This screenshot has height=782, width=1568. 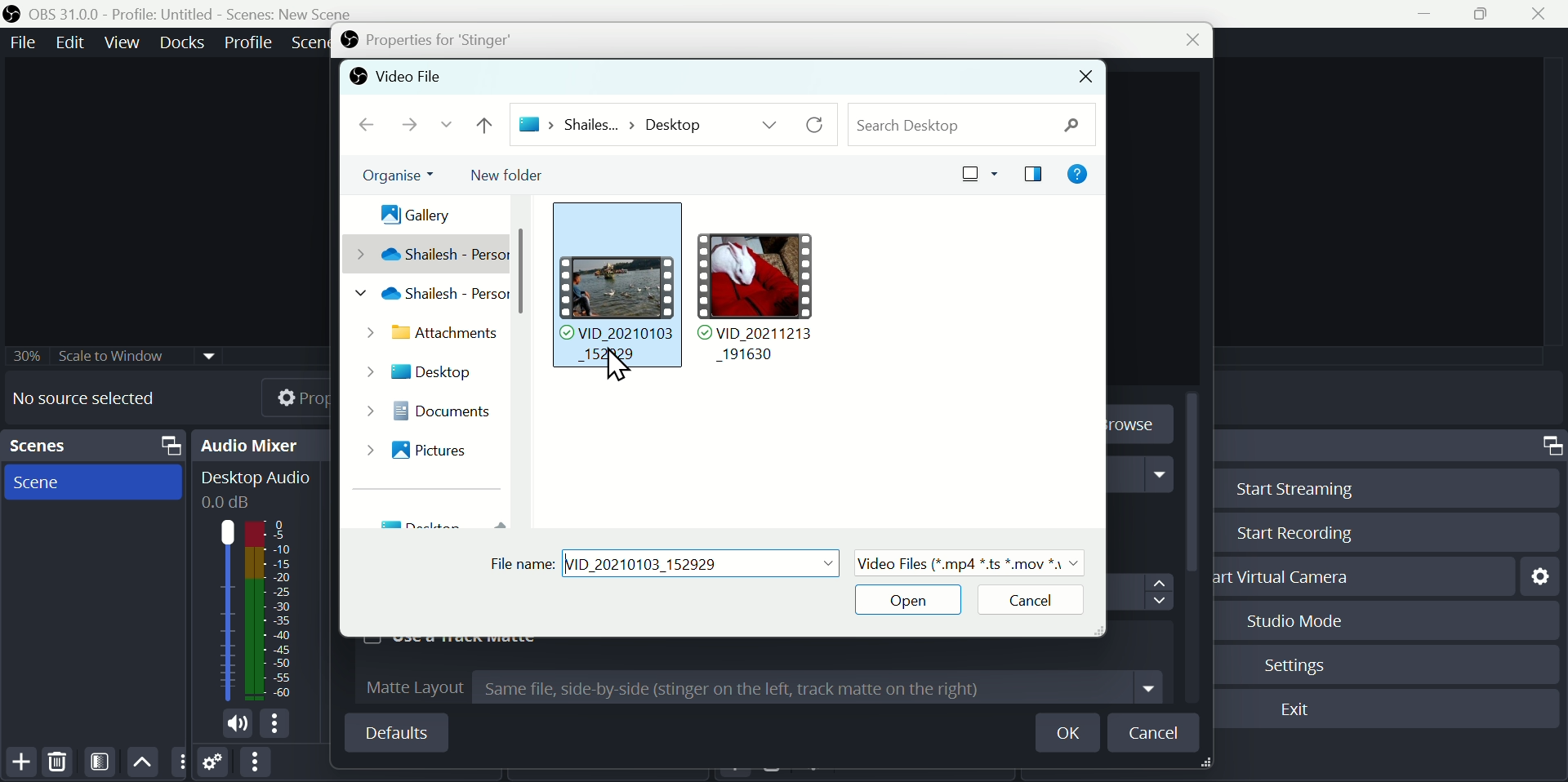 What do you see at coordinates (125, 42) in the screenshot?
I see `` at bounding box center [125, 42].